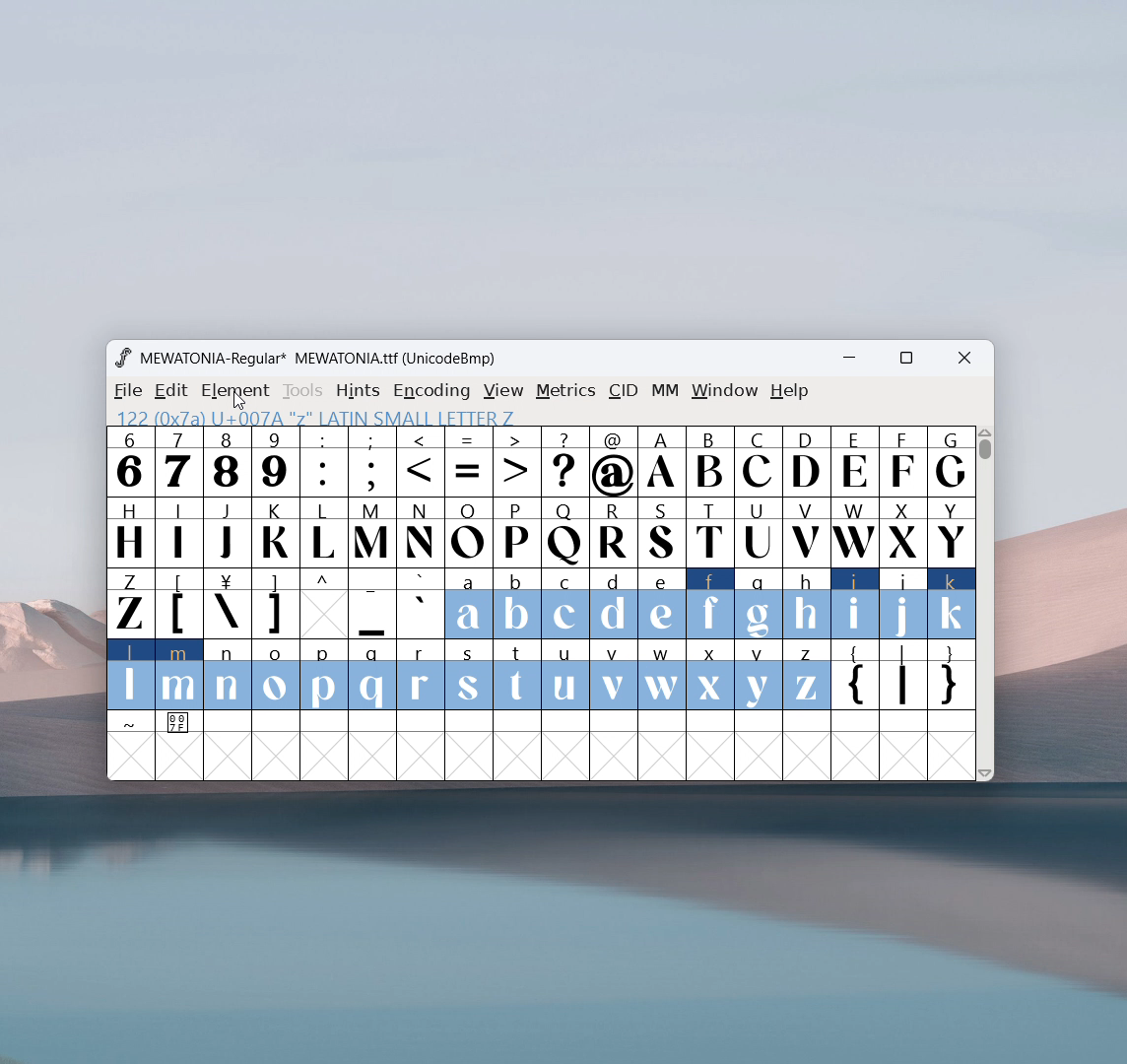 The height and width of the screenshot is (1064, 1127). I want to click on R, so click(613, 534).